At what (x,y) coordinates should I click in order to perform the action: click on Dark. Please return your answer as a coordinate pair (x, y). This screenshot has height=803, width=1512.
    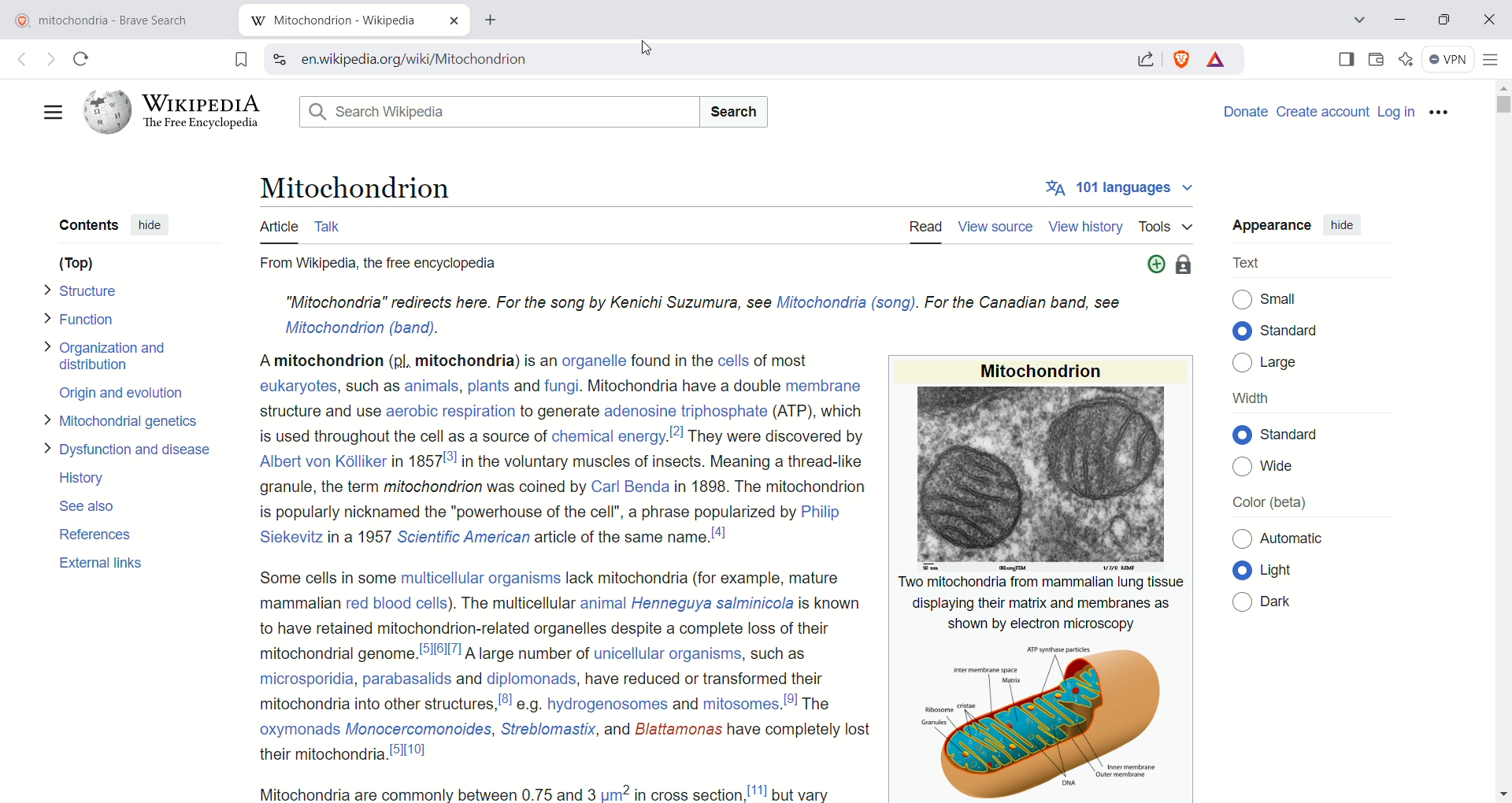
    Looking at the image, I should click on (1288, 600).